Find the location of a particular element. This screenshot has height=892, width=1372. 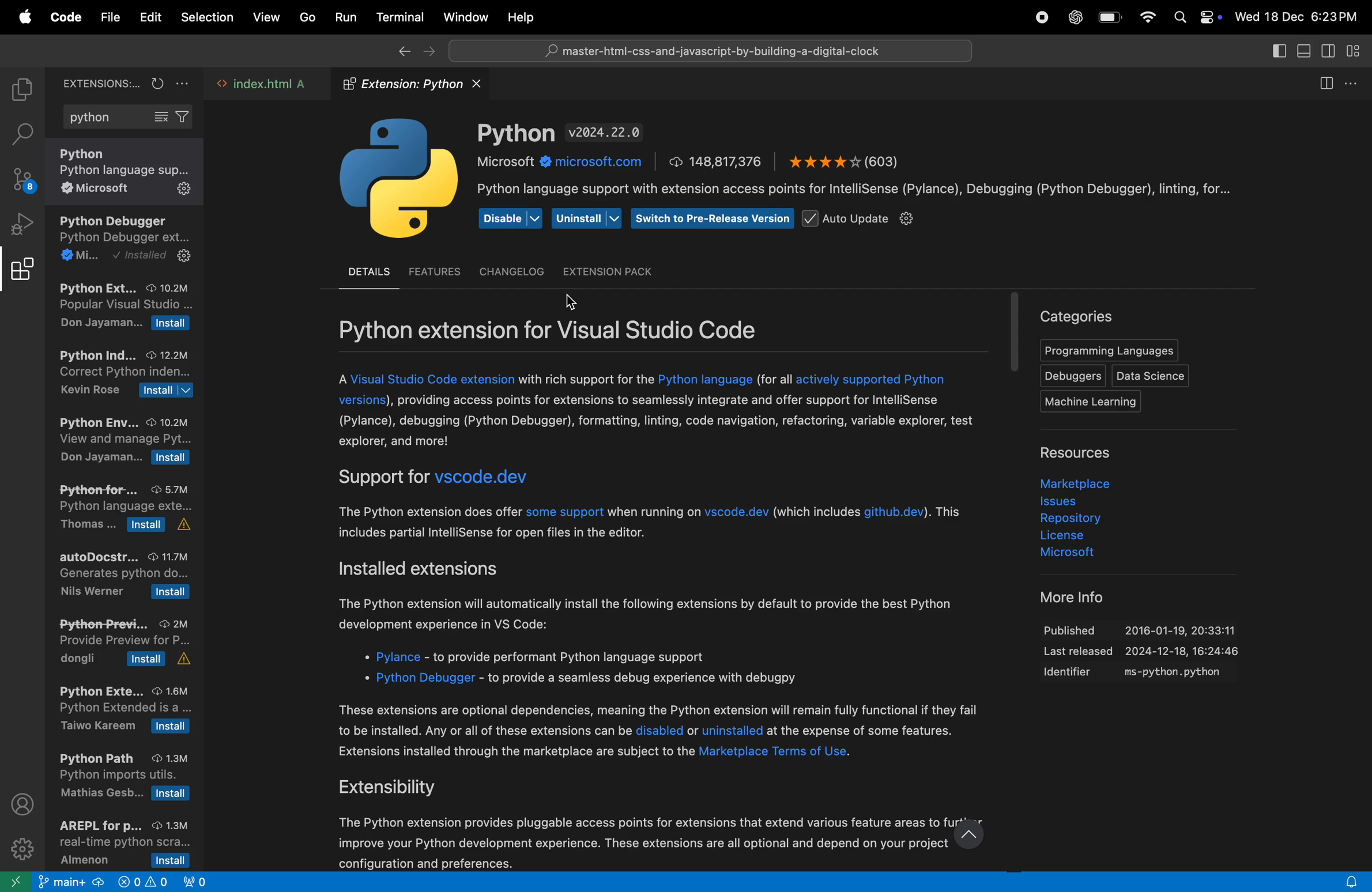

notofication is located at coordinates (1347, 881).